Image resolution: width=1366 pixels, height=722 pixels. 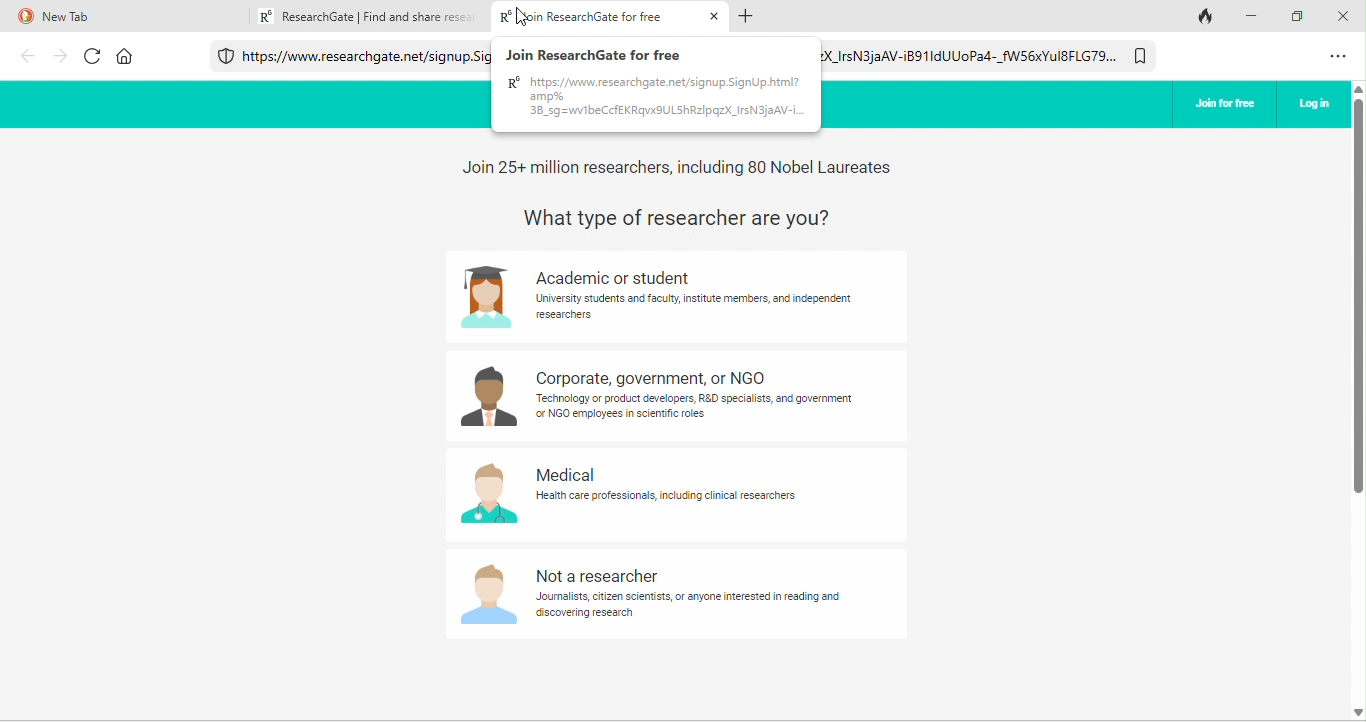 What do you see at coordinates (1301, 19) in the screenshot?
I see `maximize` at bounding box center [1301, 19].